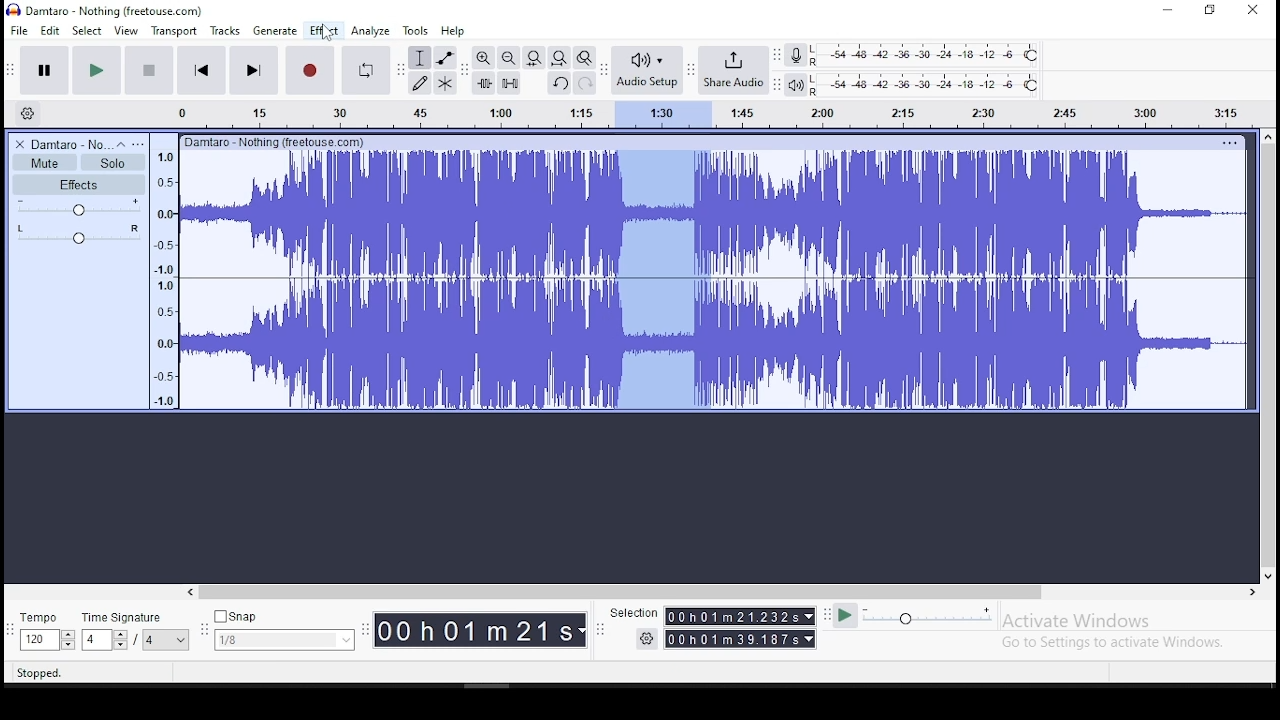 This screenshot has width=1280, height=720. Describe the element at coordinates (583, 59) in the screenshot. I see `zoom toggle` at that location.